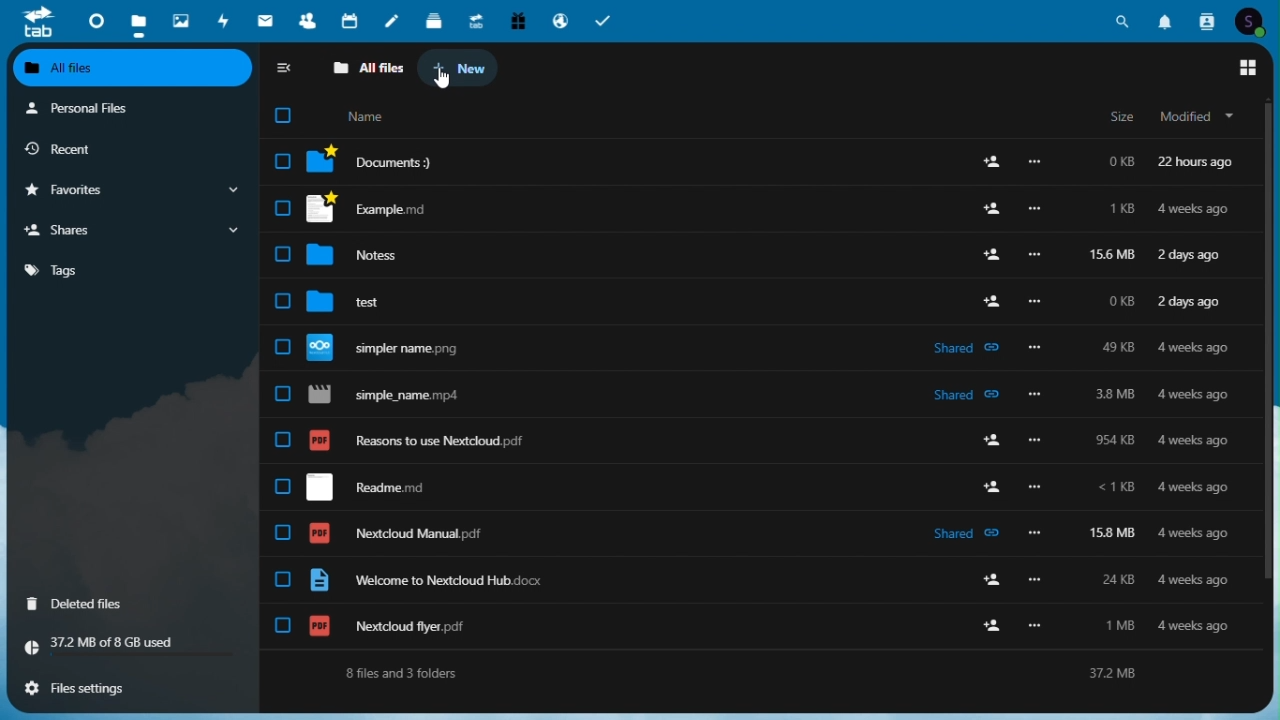 The image size is (1280, 720). I want to click on modified, so click(1199, 118).